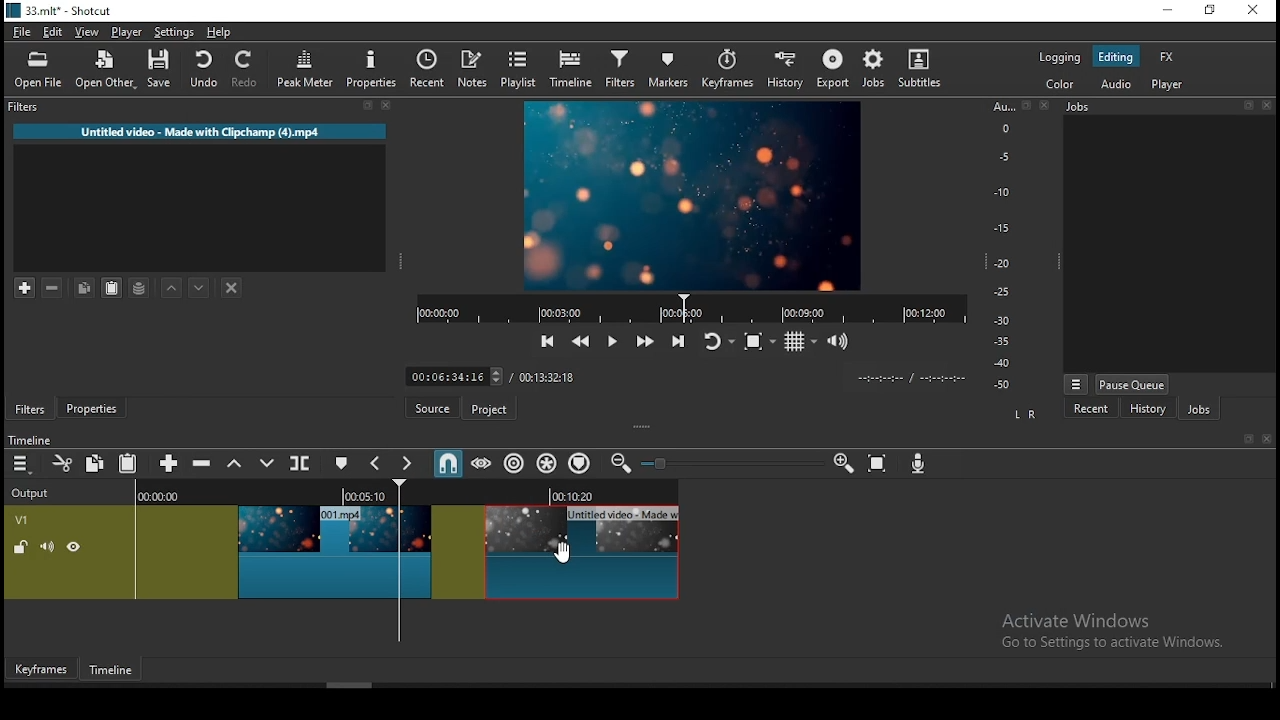 The width and height of the screenshot is (1280, 720). What do you see at coordinates (96, 409) in the screenshot?
I see `properties` at bounding box center [96, 409].